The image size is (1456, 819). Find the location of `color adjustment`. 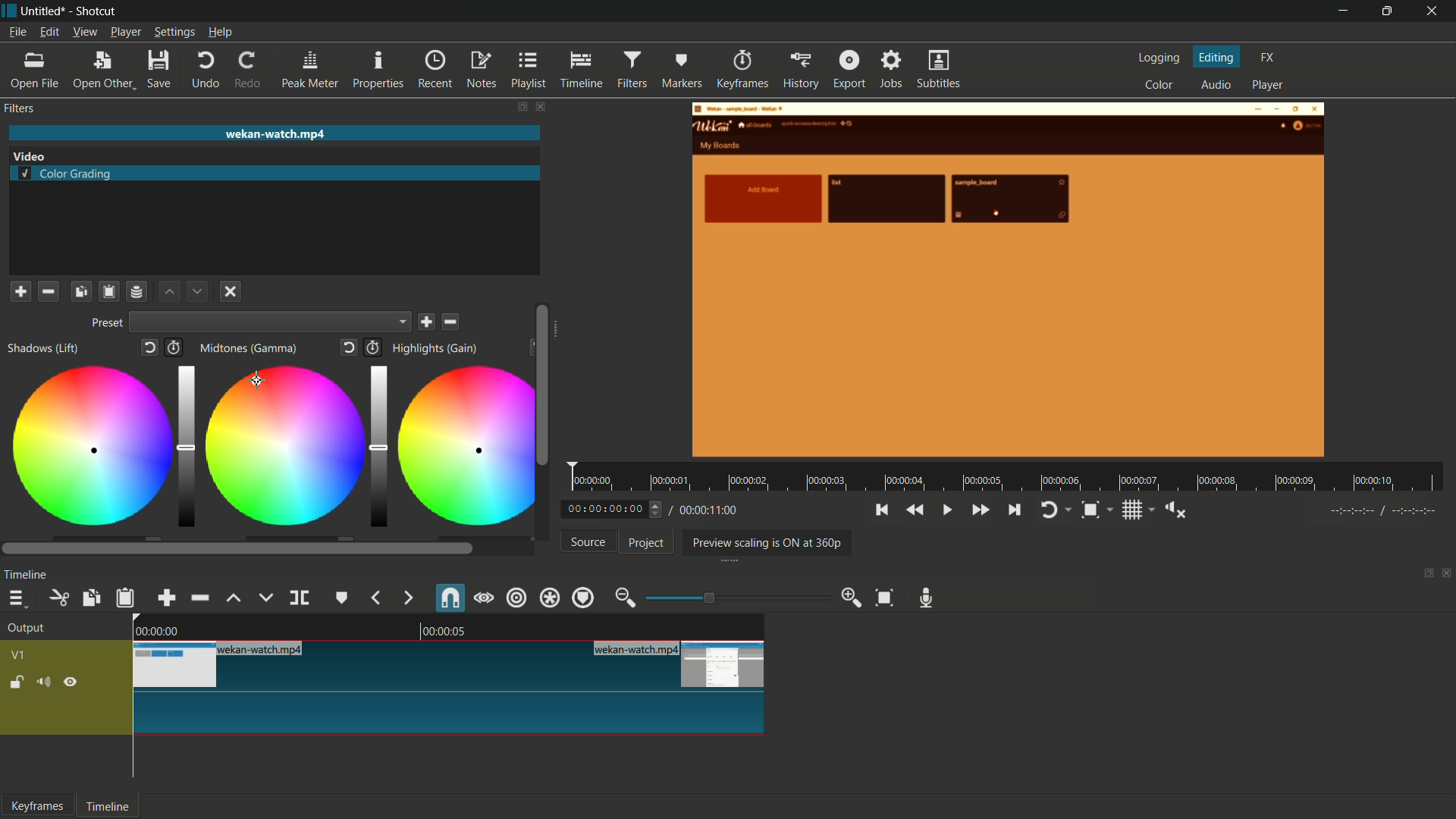

color adjustment is located at coordinates (89, 448).